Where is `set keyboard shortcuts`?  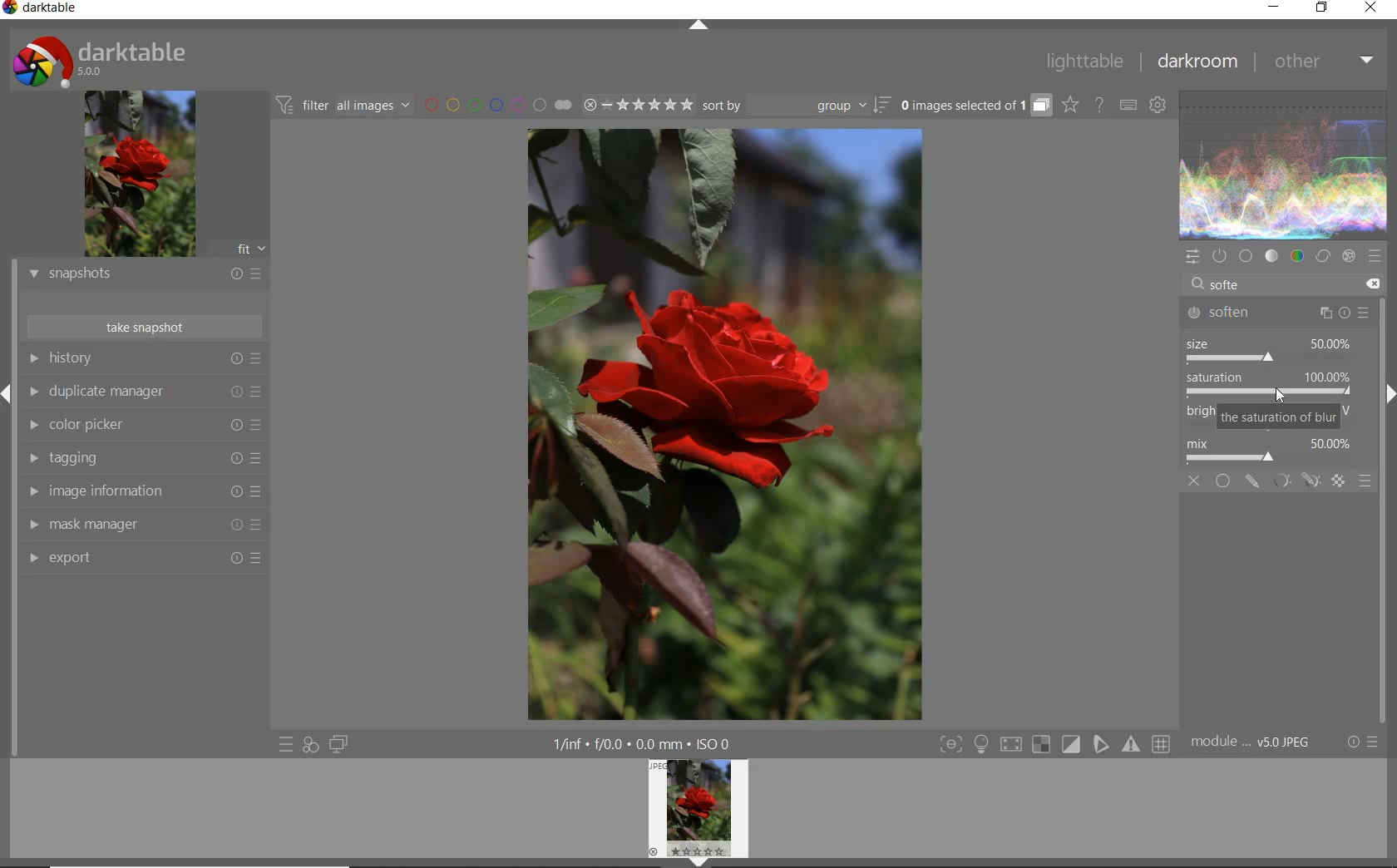 set keyboard shortcuts is located at coordinates (1128, 105).